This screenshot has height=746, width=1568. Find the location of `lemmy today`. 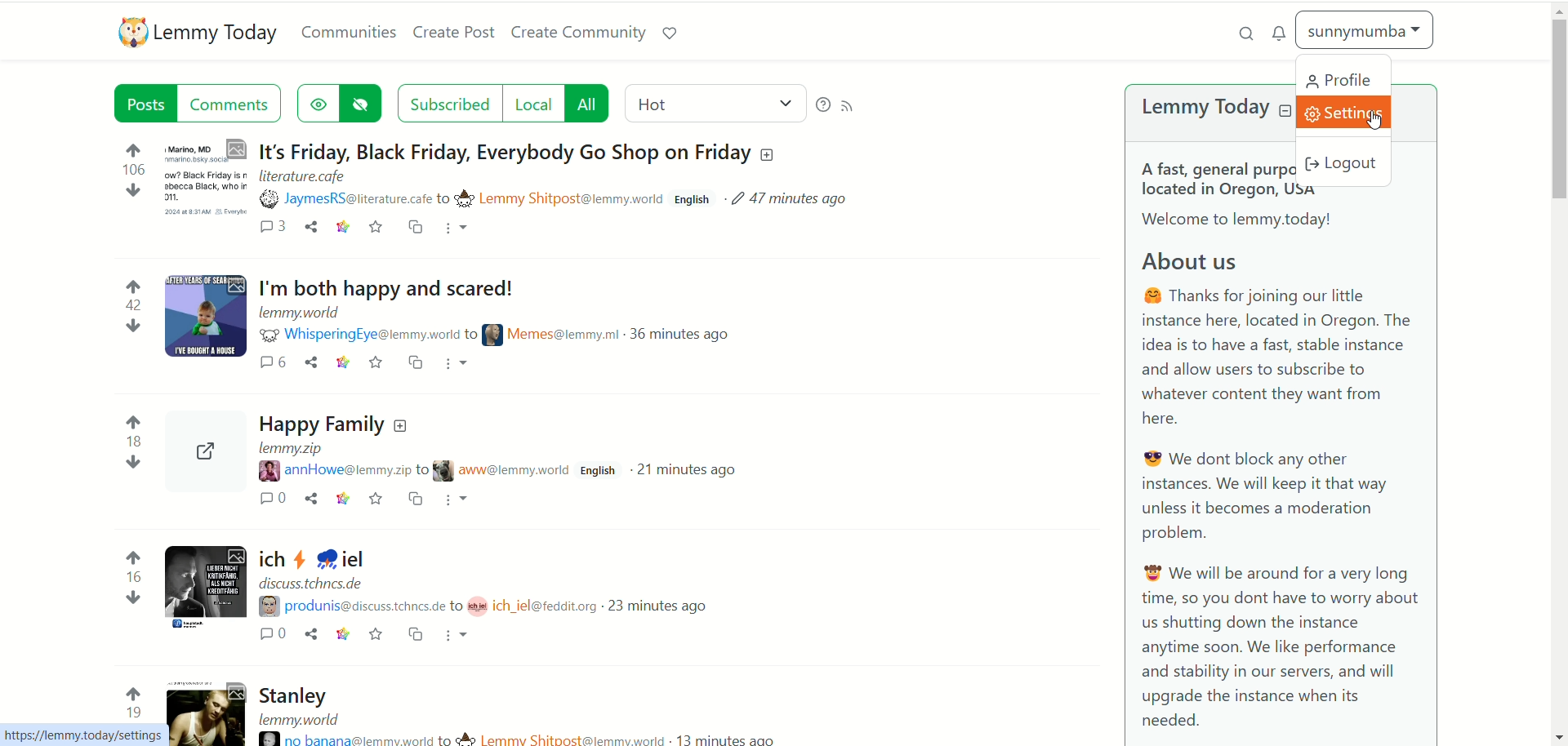

lemmy today is located at coordinates (1202, 109).